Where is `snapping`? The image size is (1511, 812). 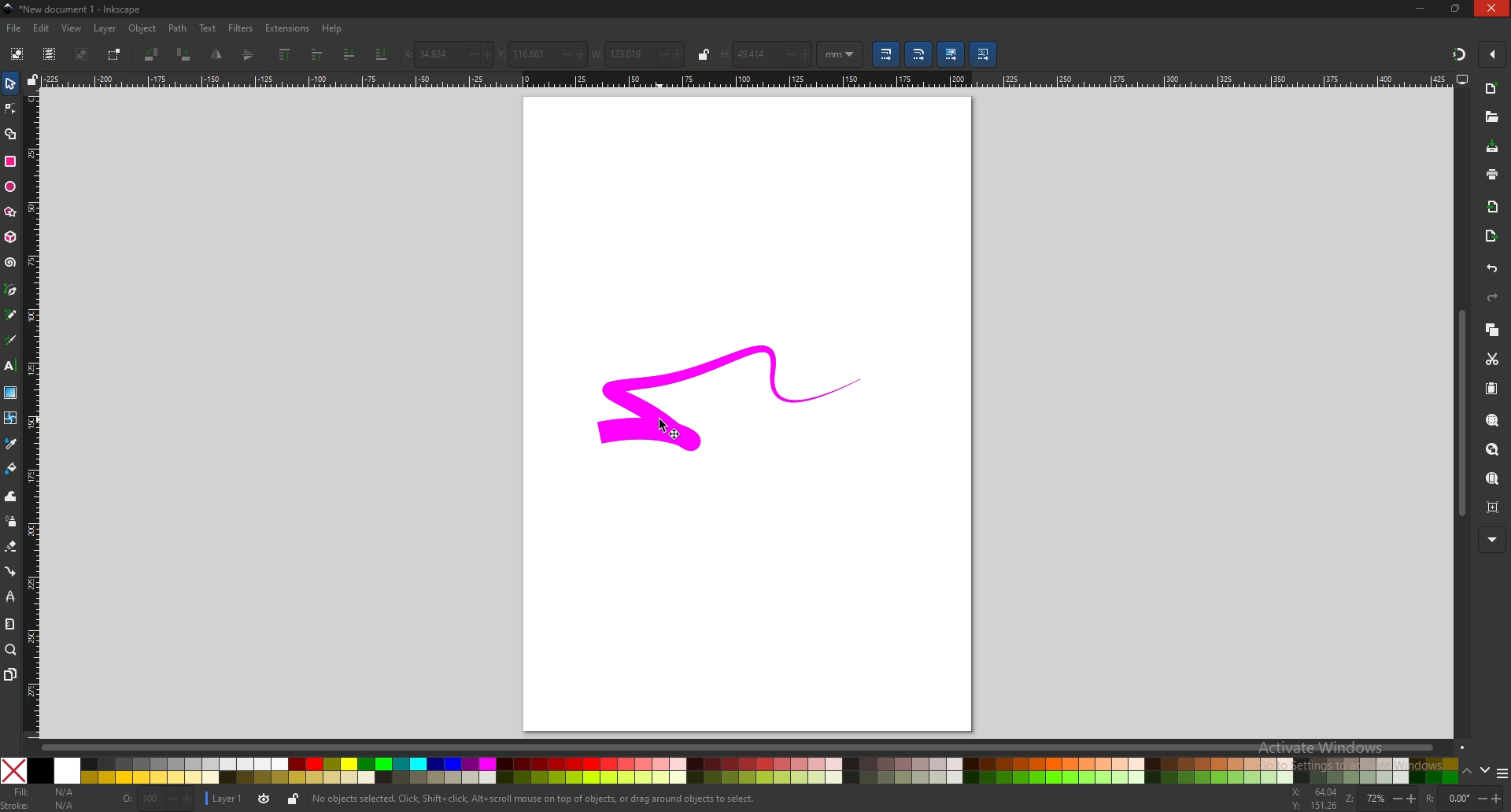 snapping is located at coordinates (1461, 54).